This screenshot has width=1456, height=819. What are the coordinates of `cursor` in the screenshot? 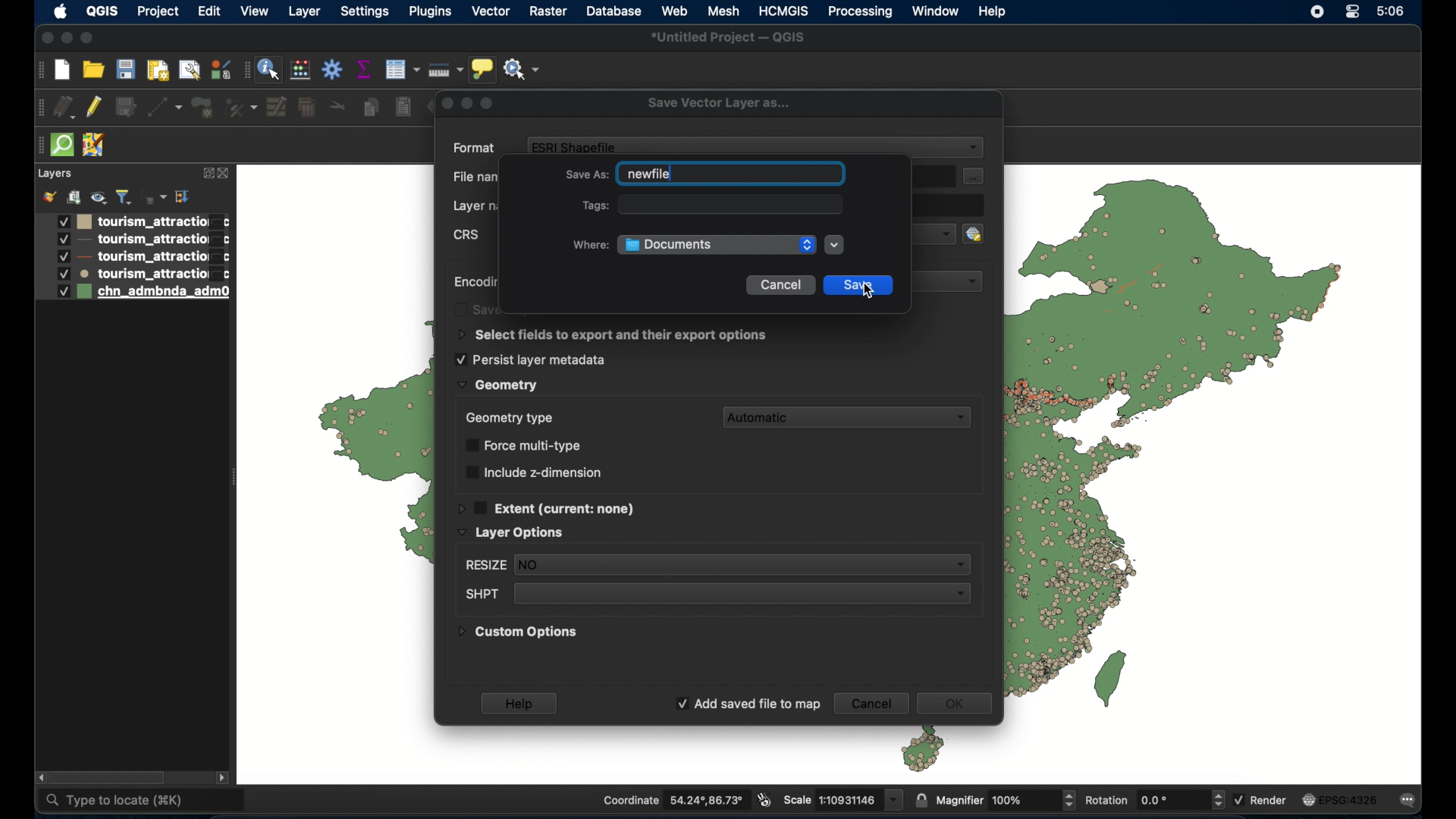 It's located at (869, 293).